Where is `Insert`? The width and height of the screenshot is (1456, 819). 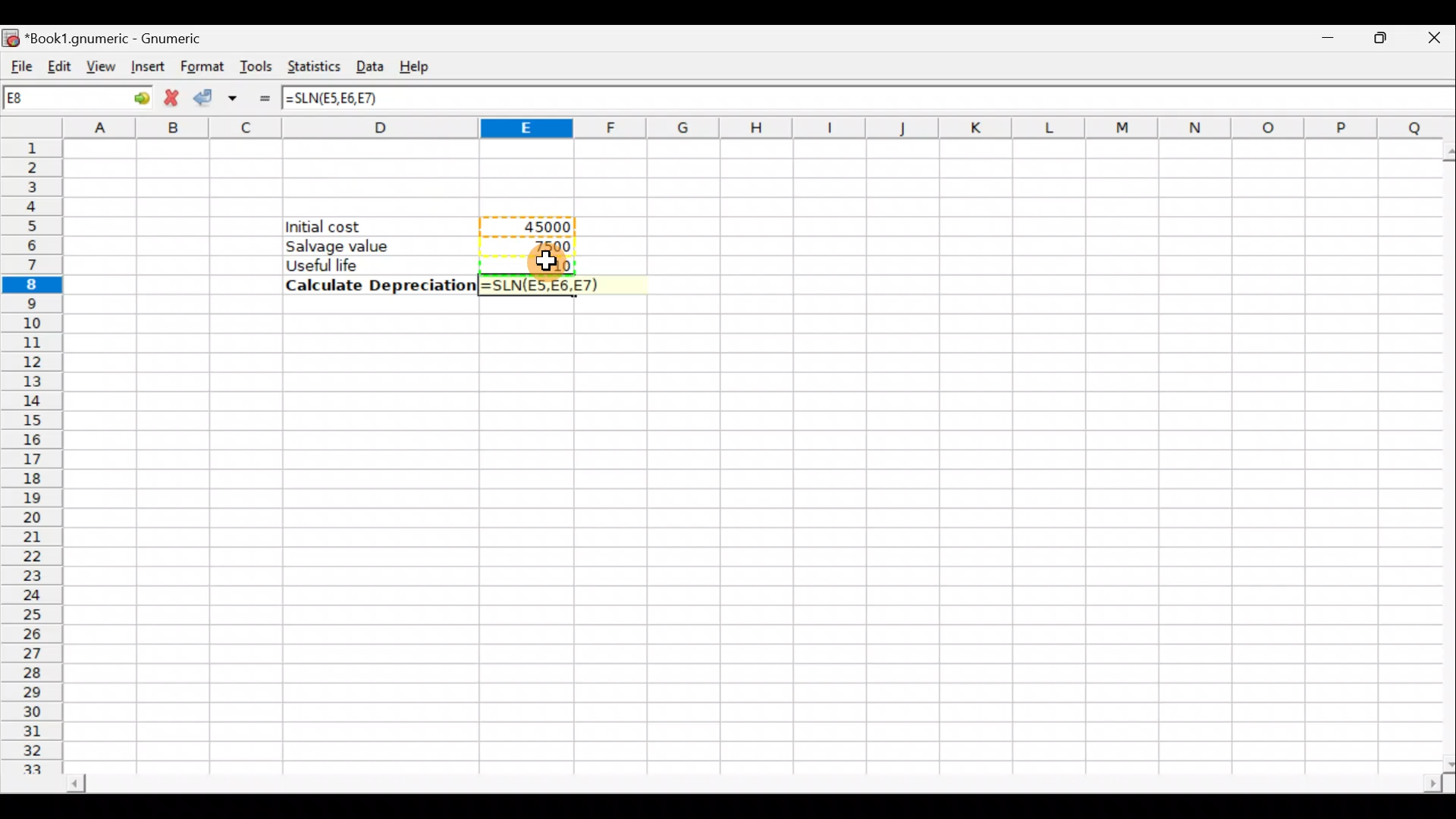 Insert is located at coordinates (146, 67).